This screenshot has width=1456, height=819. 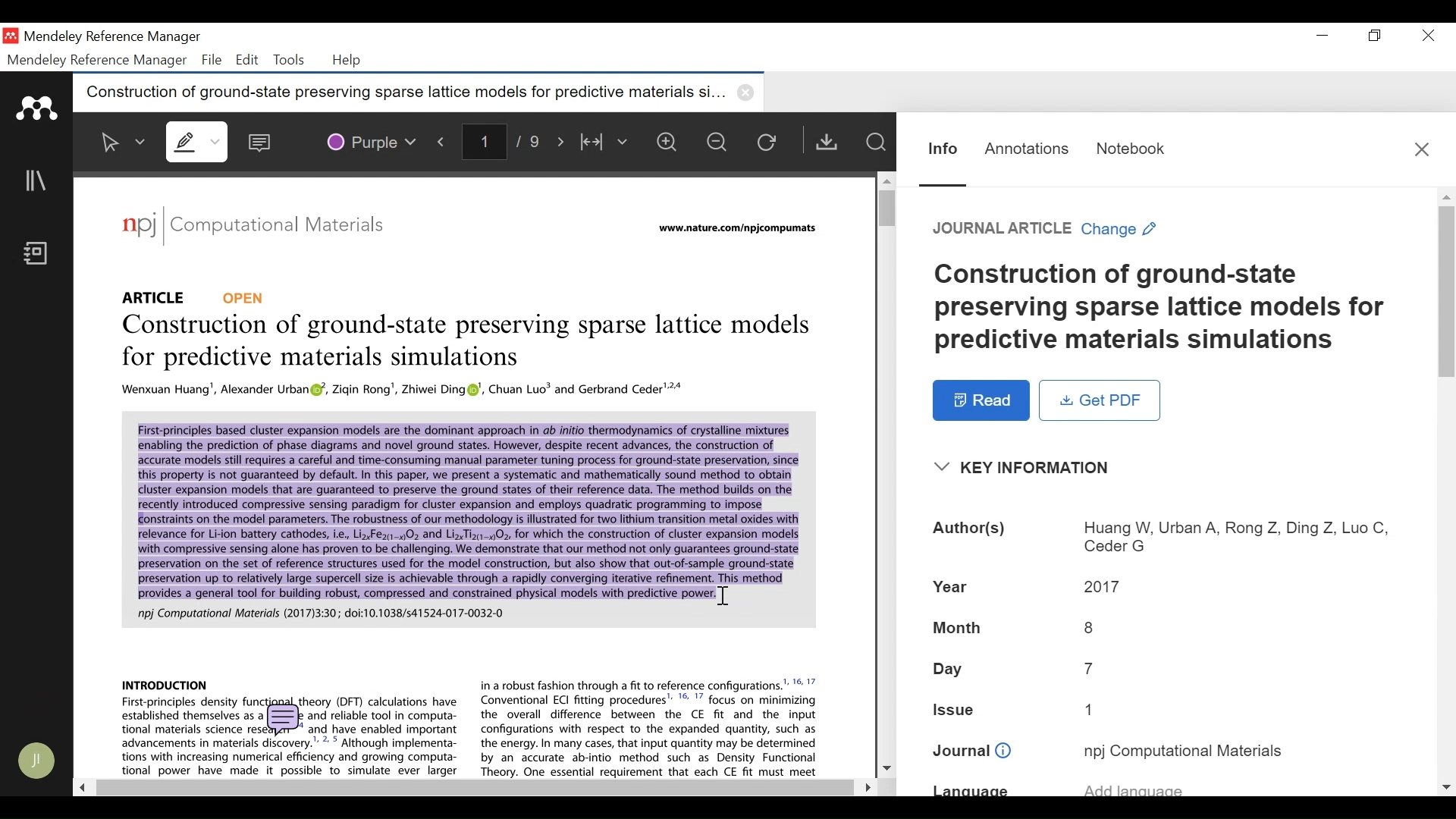 I want to click on Current tab, so click(x=398, y=93).